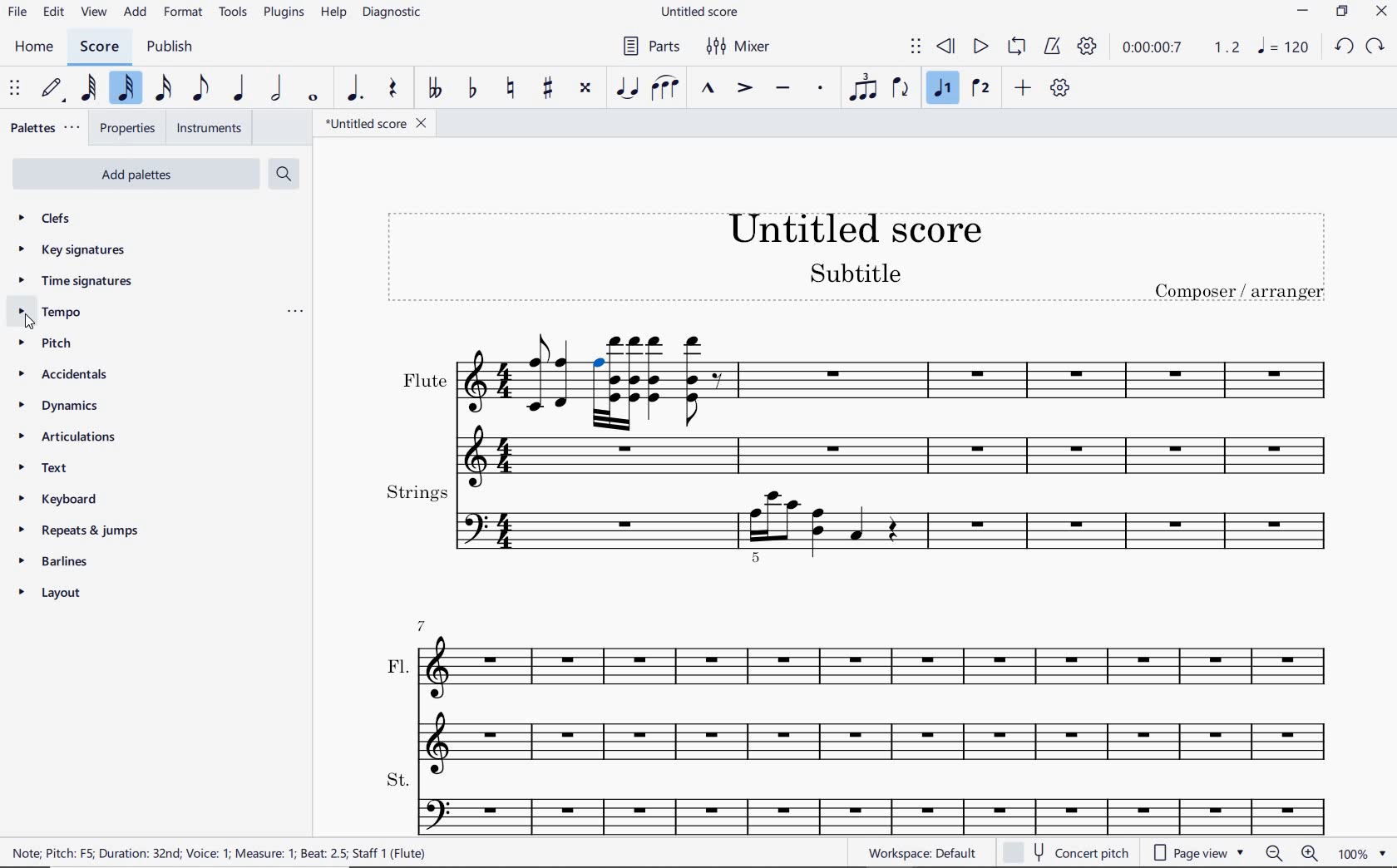  Describe the element at coordinates (378, 126) in the screenshot. I see `file name` at that location.